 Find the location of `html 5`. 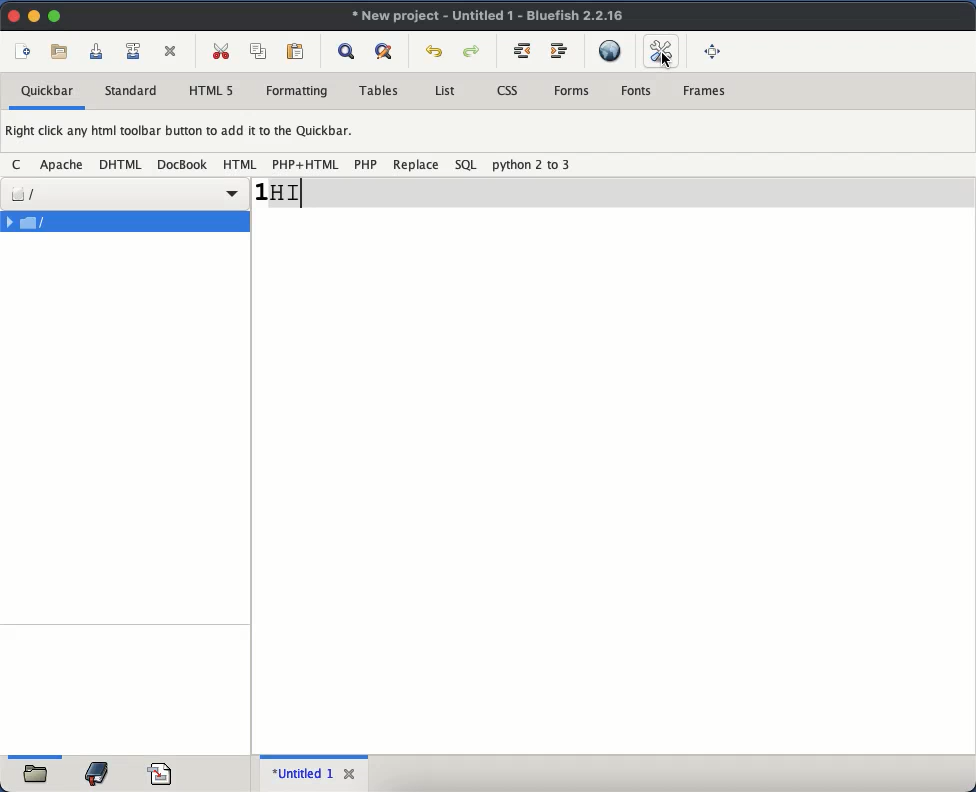

html 5 is located at coordinates (217, 90).